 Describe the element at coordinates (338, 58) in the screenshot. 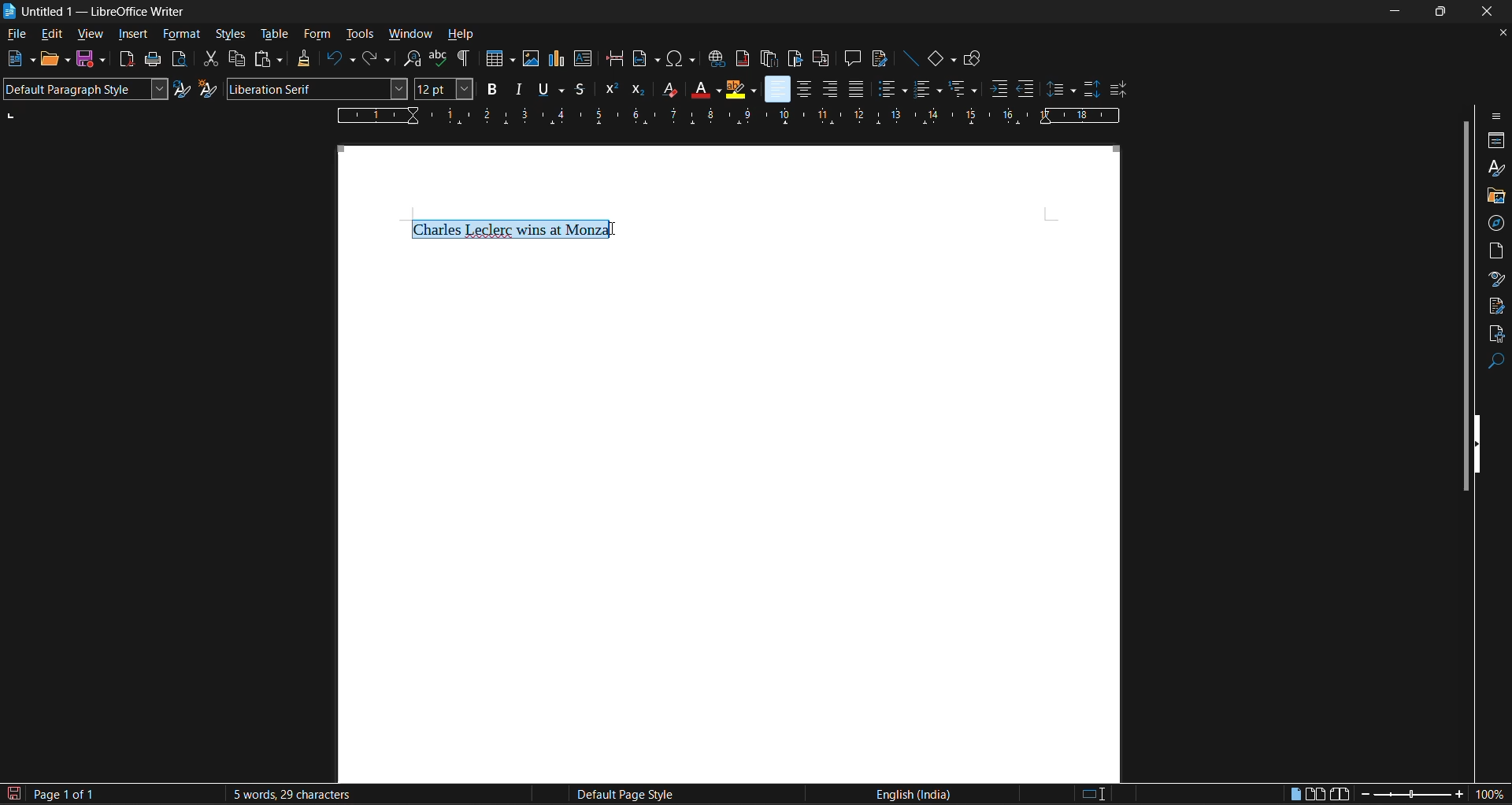

I see `undo` at that location.